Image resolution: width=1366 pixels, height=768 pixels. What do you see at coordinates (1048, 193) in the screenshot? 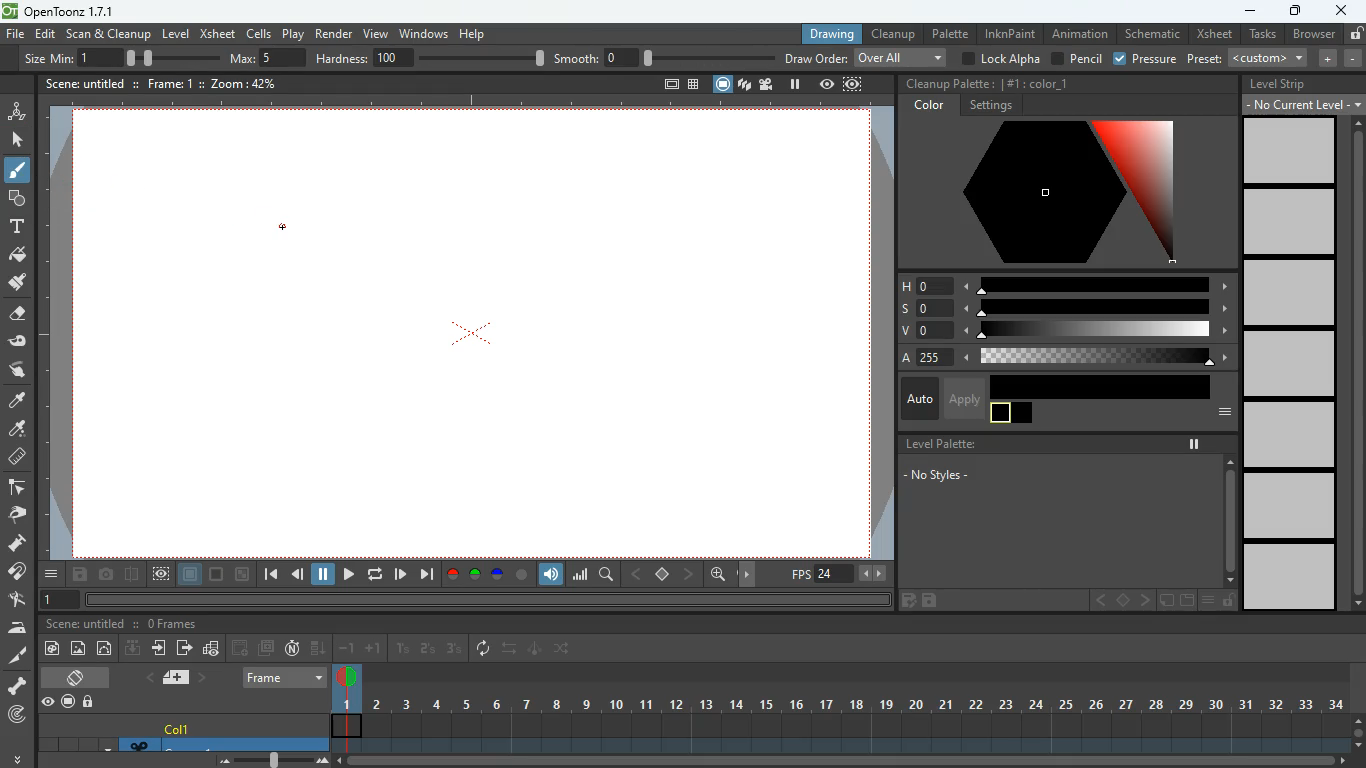
I see `color` at bounding box center [1048, 193].